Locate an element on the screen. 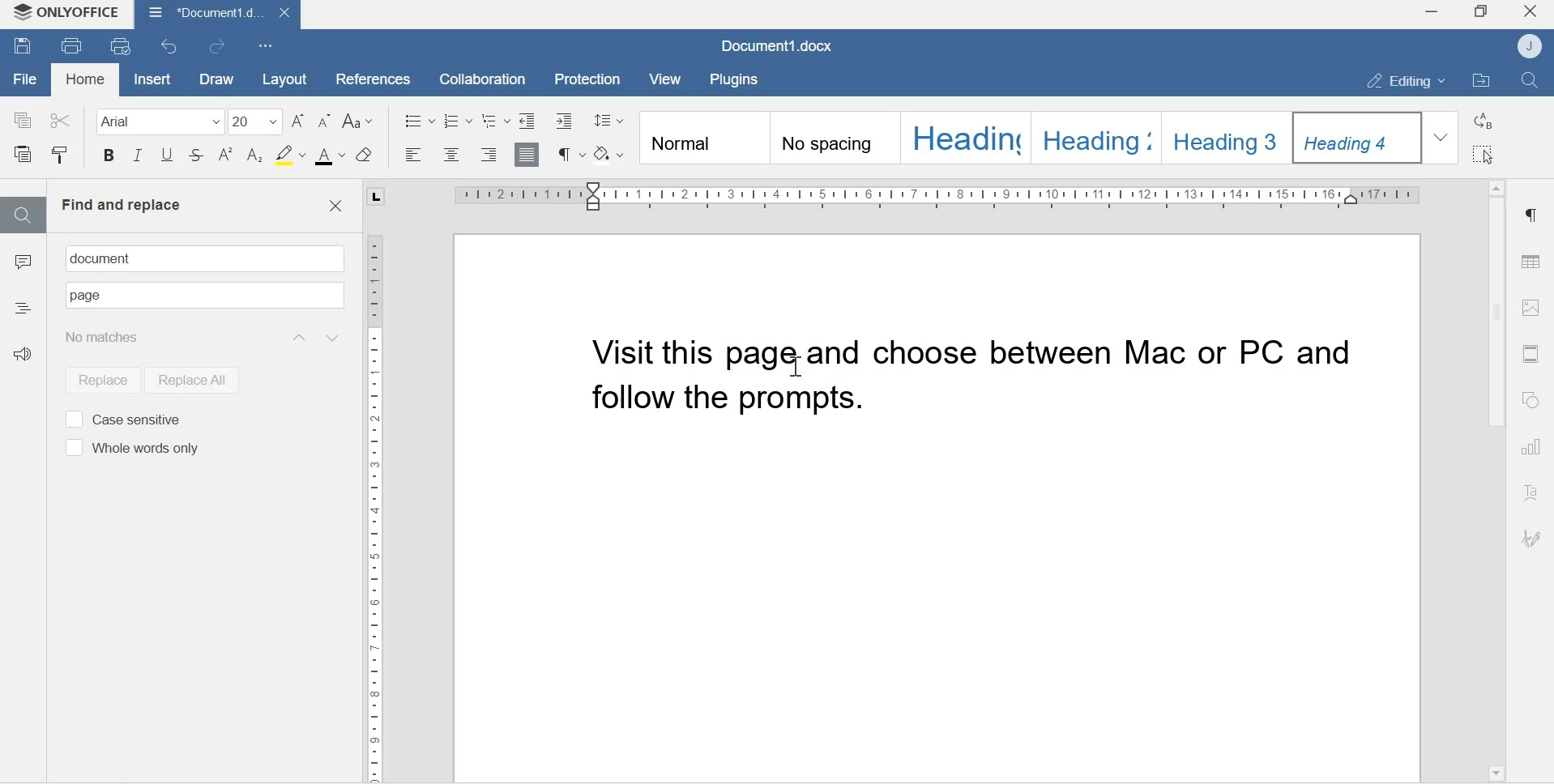 The image size is (1554, 784). and follow the prompts. is located at coordinates (776, 404).